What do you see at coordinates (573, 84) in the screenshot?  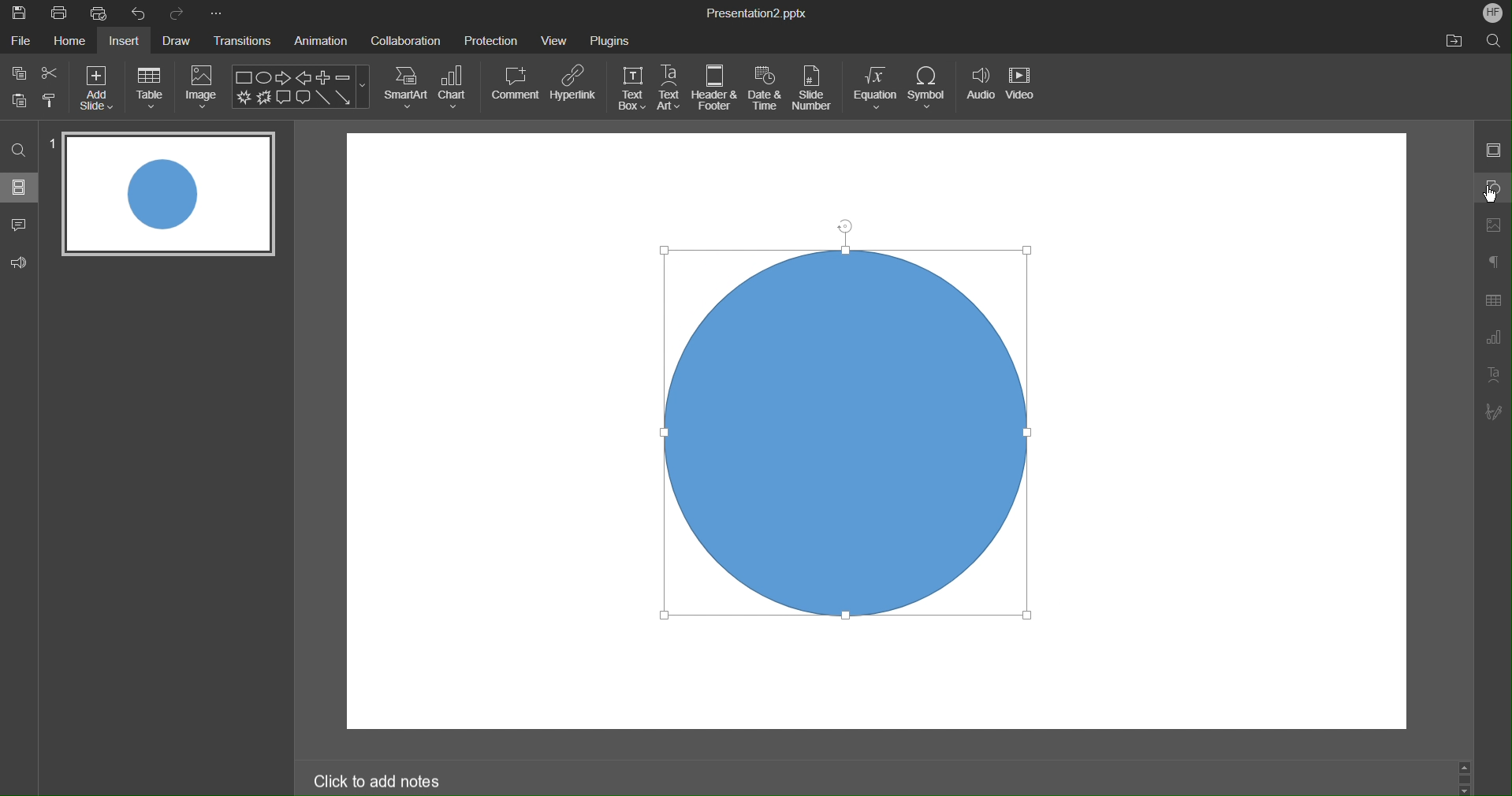 I see `Hyperlink` at bounding box center [573, 84].